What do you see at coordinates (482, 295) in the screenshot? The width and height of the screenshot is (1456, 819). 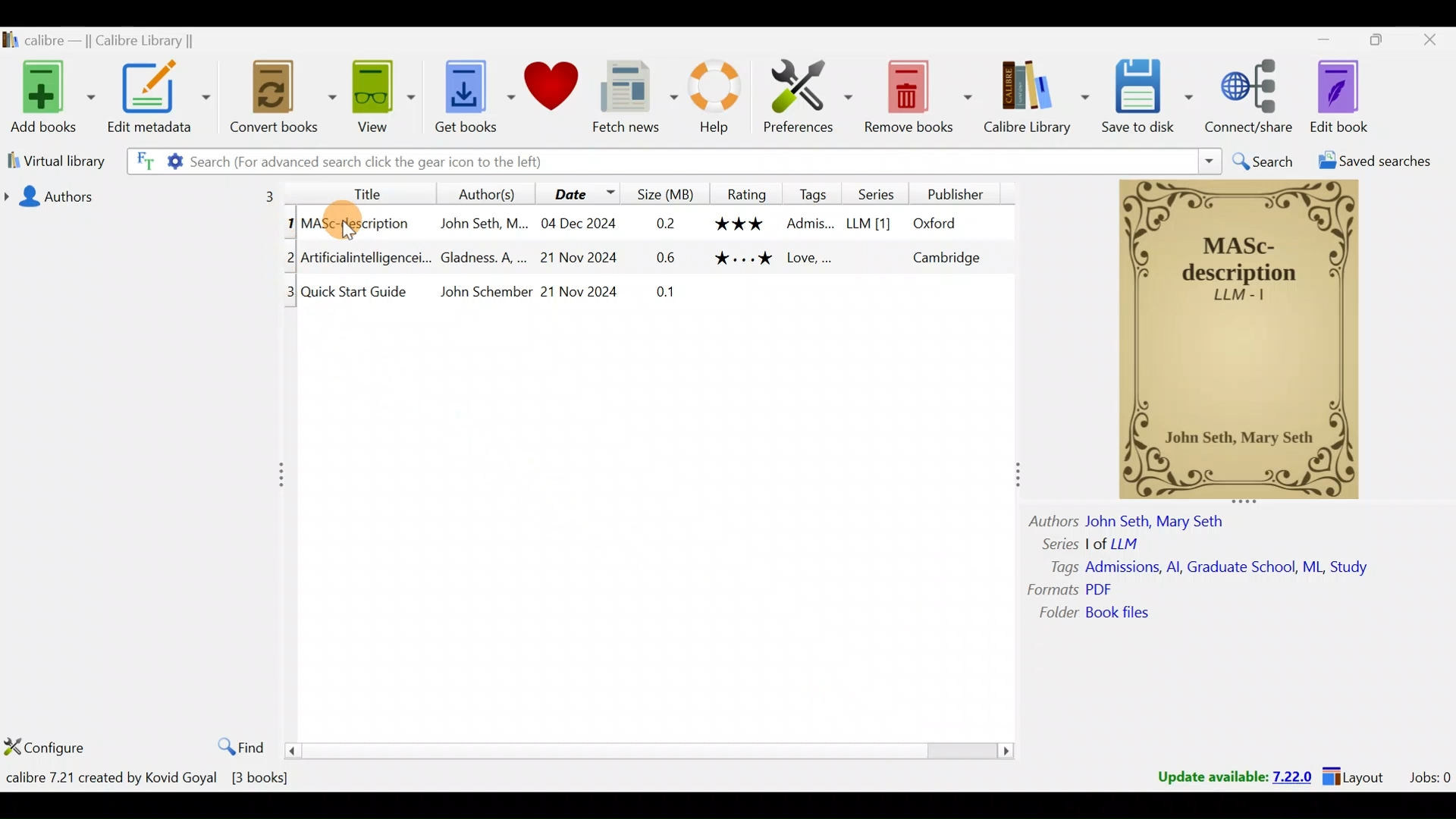 I see `` at bounding box center [482, 295].